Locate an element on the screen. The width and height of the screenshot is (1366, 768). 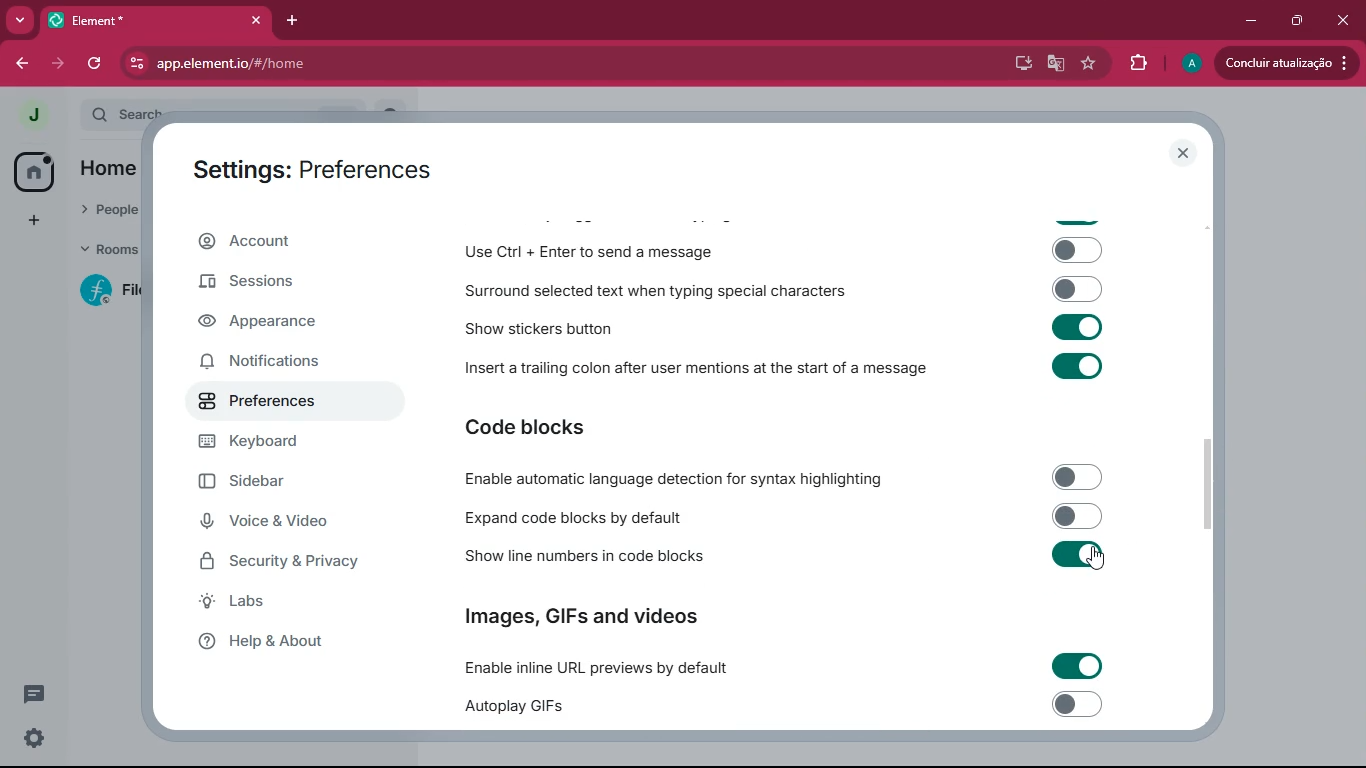
element is located at coordinates (155, 20).